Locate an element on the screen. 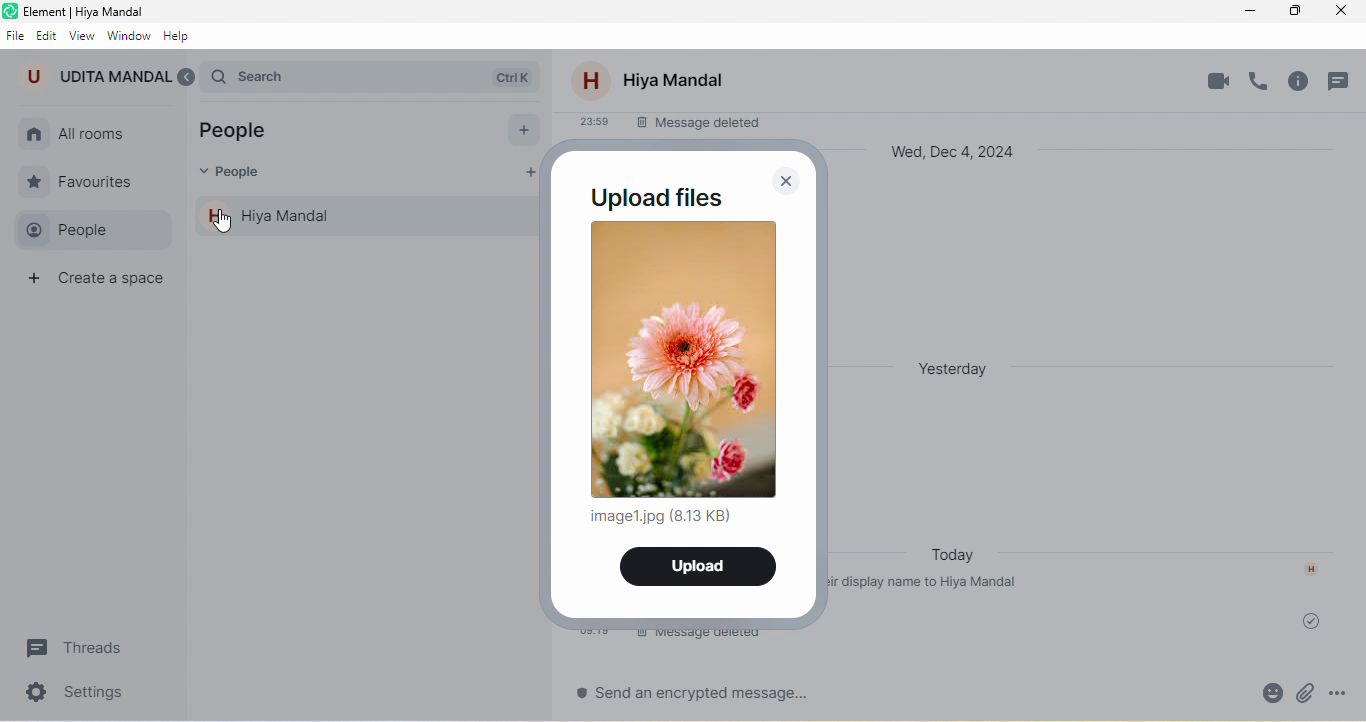  people is located at coordinates (243, 133).